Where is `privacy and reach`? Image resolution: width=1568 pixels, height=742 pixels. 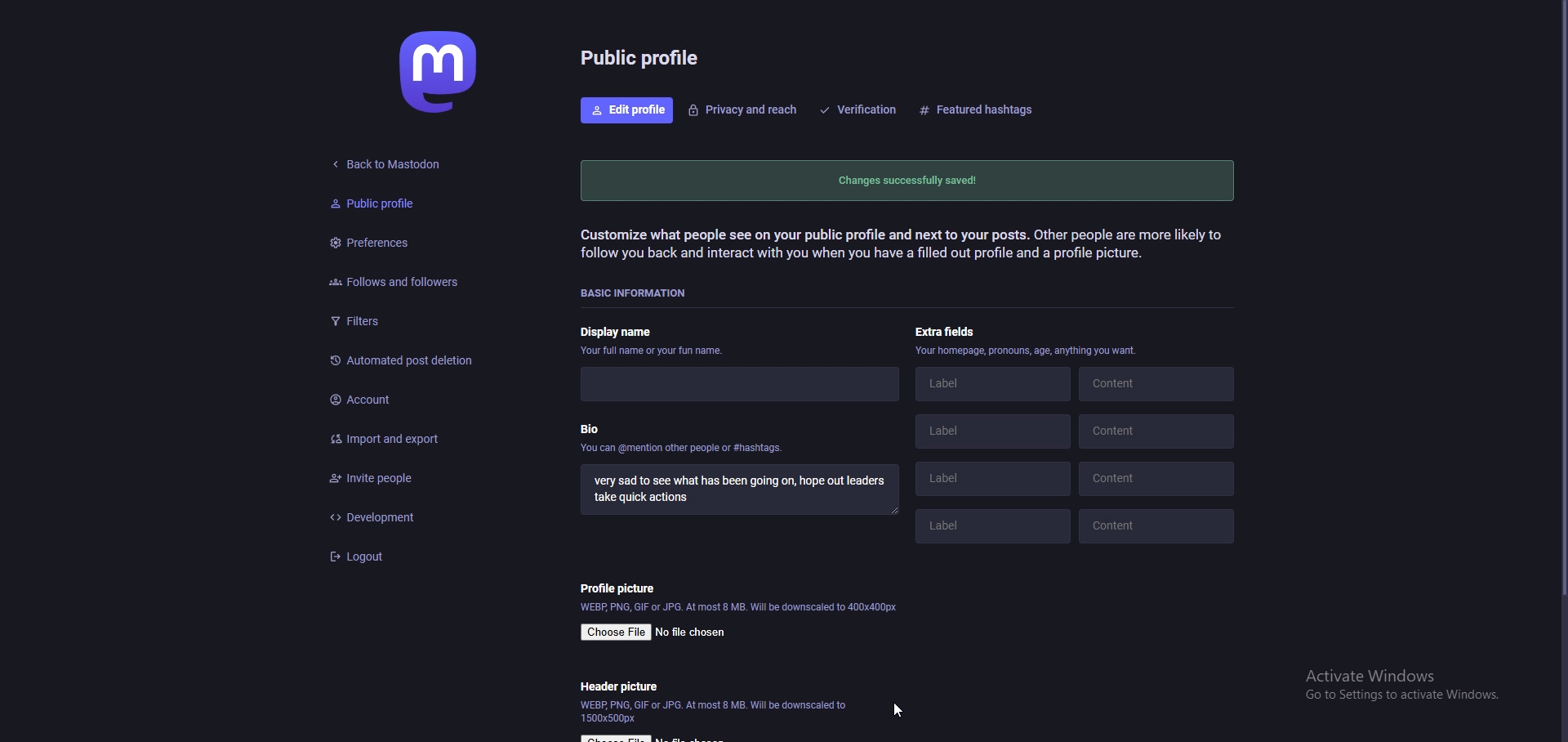
privacy and reach is located at coordinates (743, 109).